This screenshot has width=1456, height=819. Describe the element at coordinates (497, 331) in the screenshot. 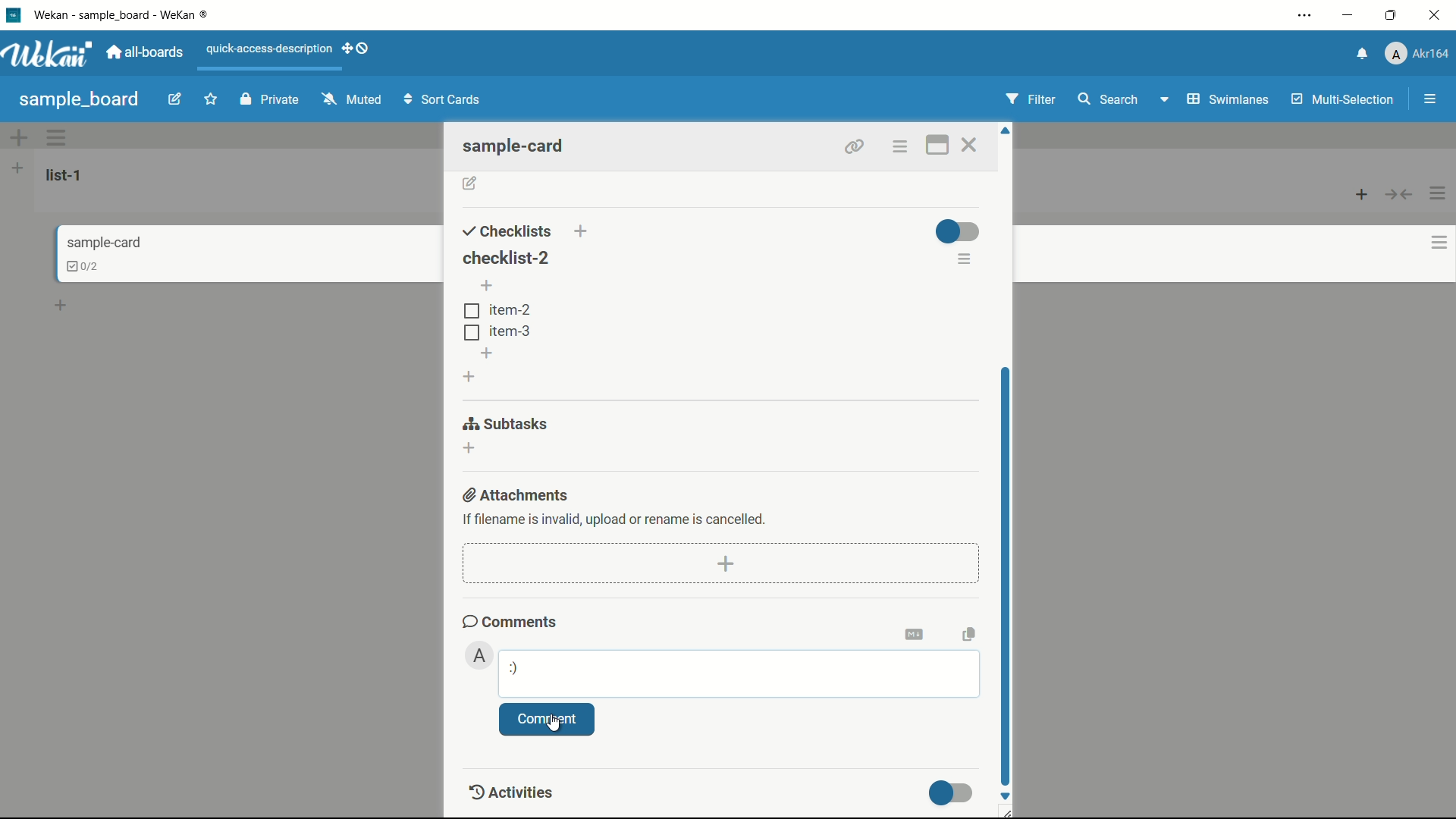

I see `tem-3` at that location.